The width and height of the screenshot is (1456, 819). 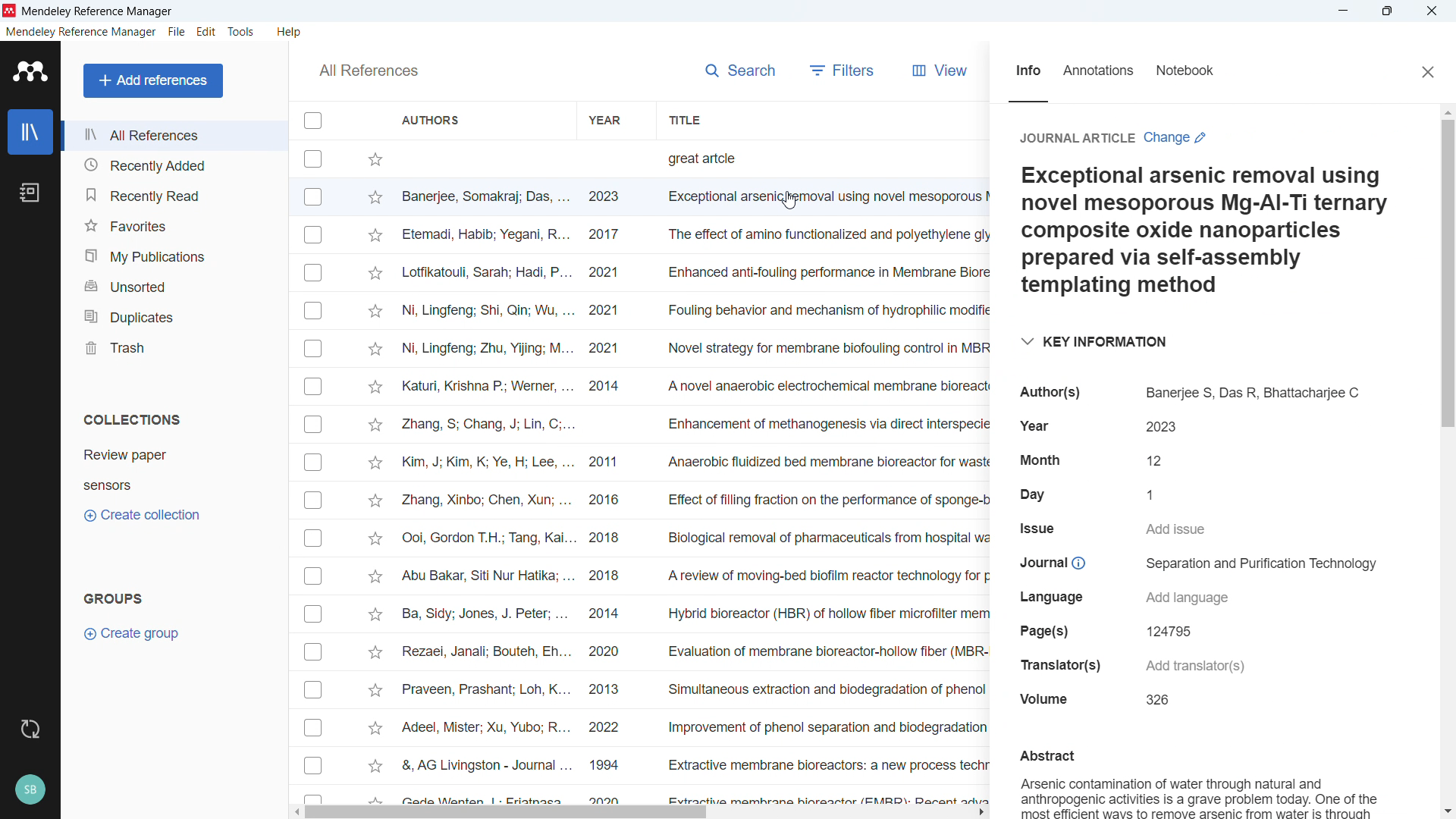 I want to click on year, so click(x=1037, y=425).